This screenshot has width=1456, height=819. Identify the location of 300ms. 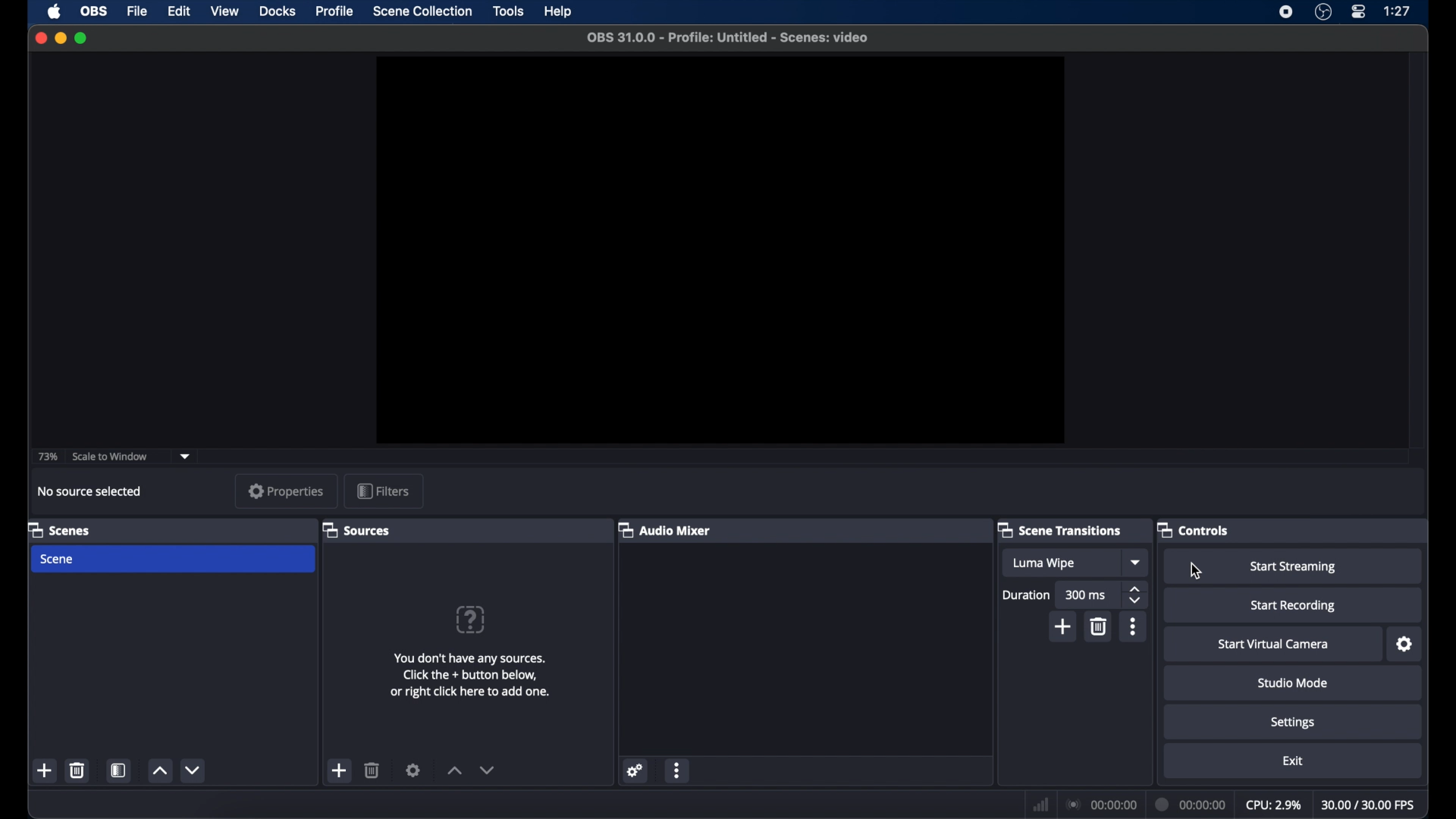
(1086, 595).